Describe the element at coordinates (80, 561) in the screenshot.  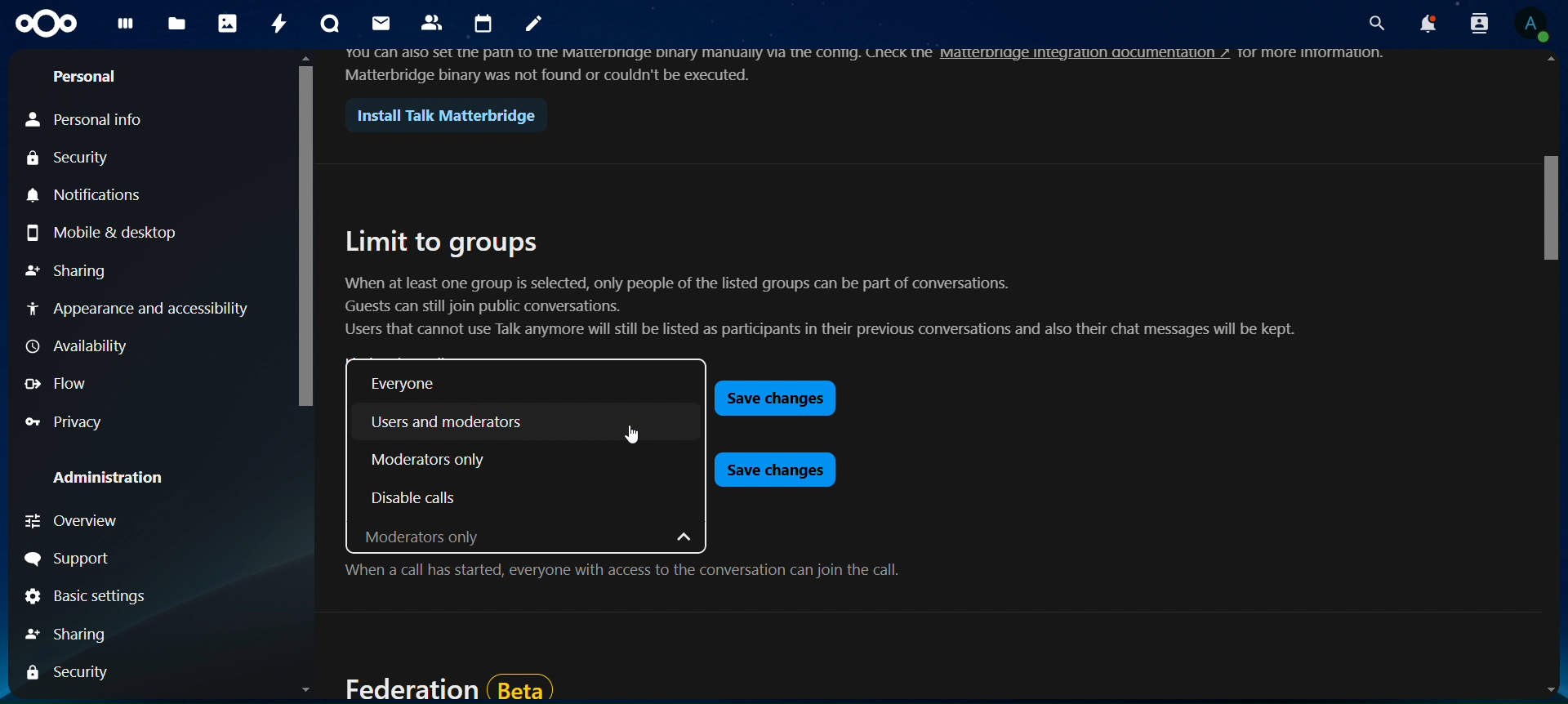
I see `support` at that location.